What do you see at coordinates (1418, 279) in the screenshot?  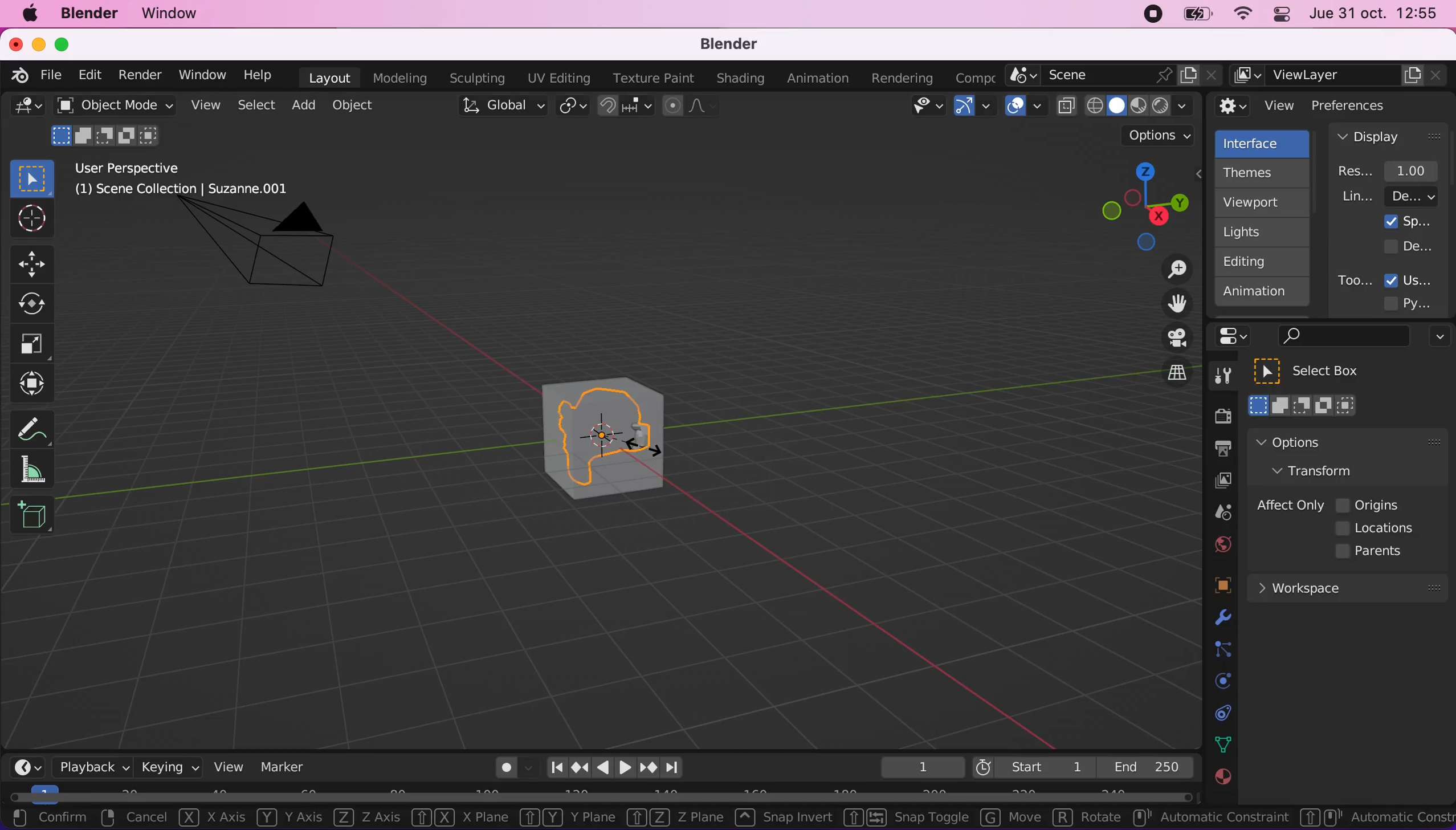 I see `user tooltips` at bounding box center [1418, 279].